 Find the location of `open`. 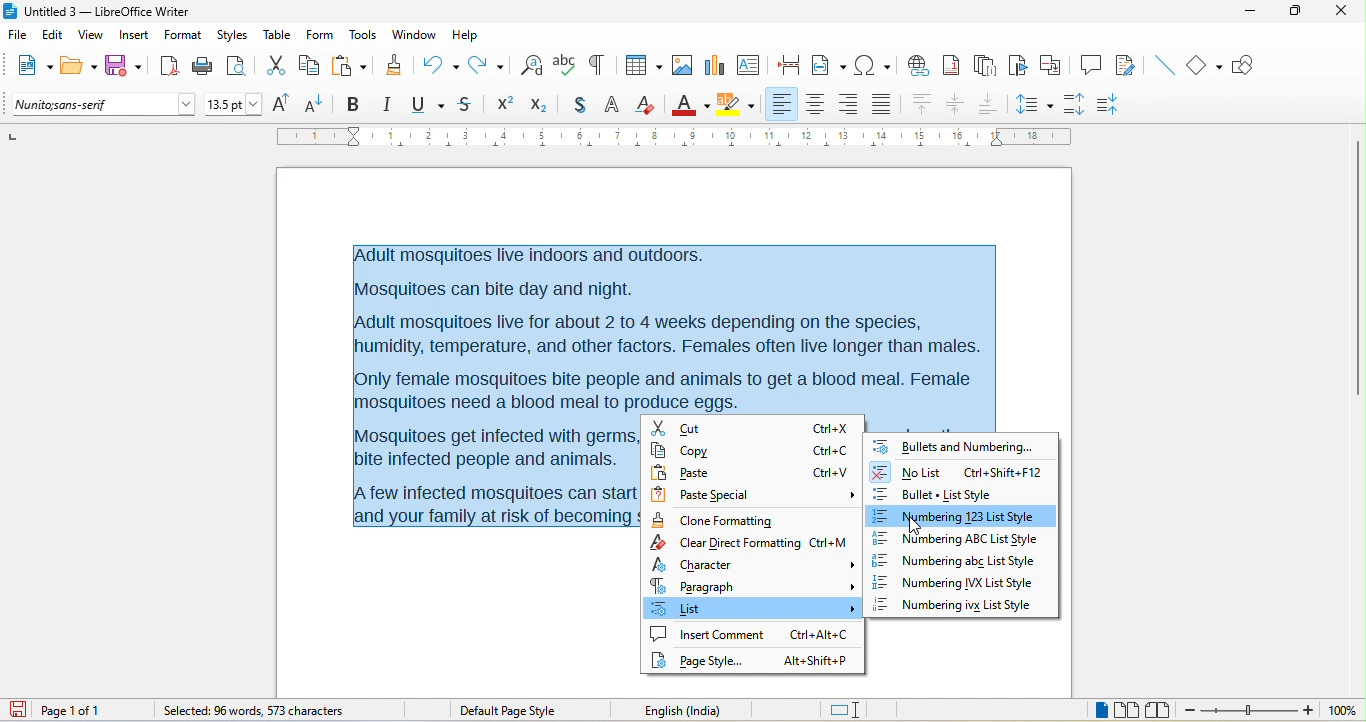

open is located at coordinates (79, 67).